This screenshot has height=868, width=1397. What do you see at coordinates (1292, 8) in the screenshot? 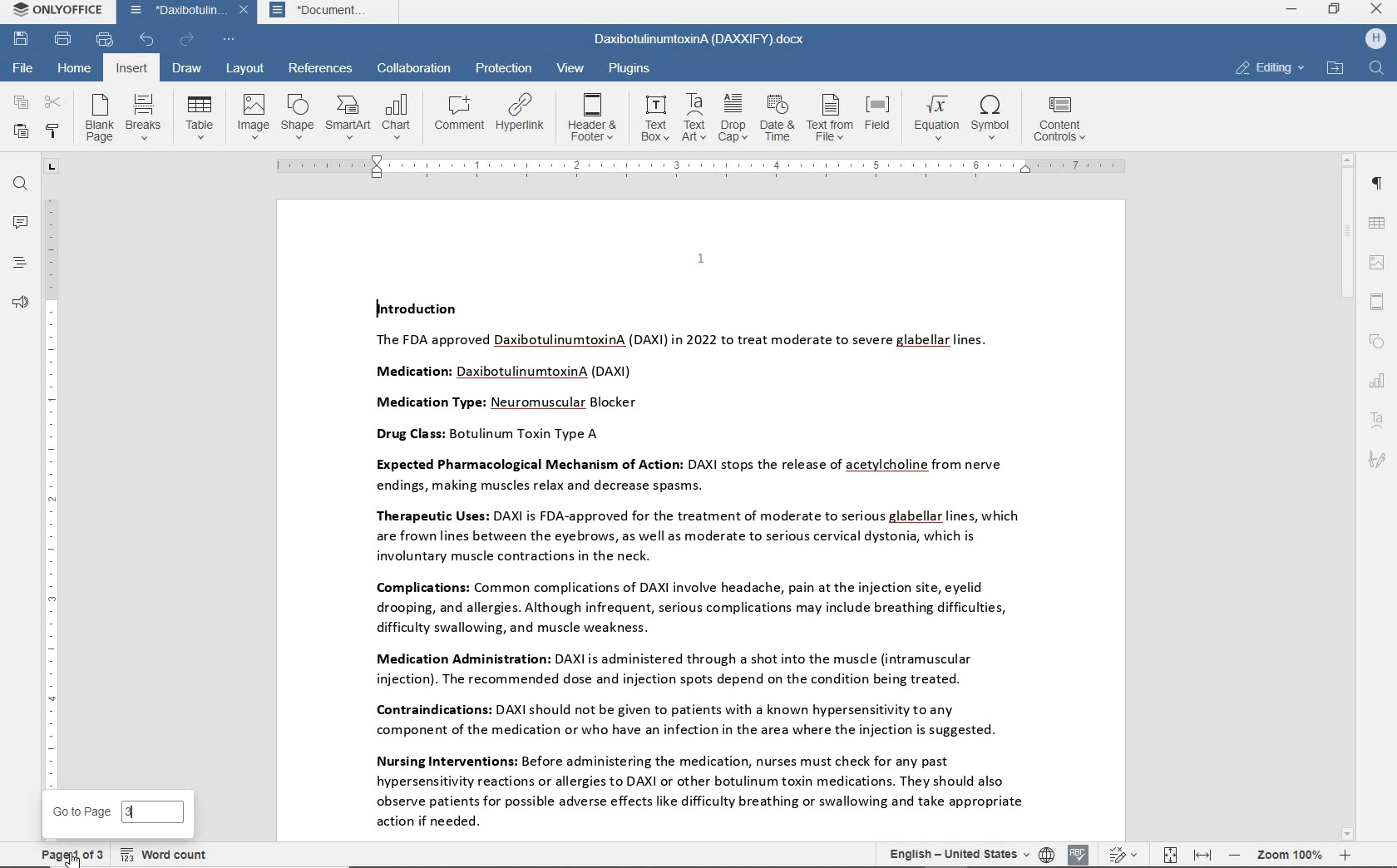
I see `minimize` at bounding box center [1292, 8].